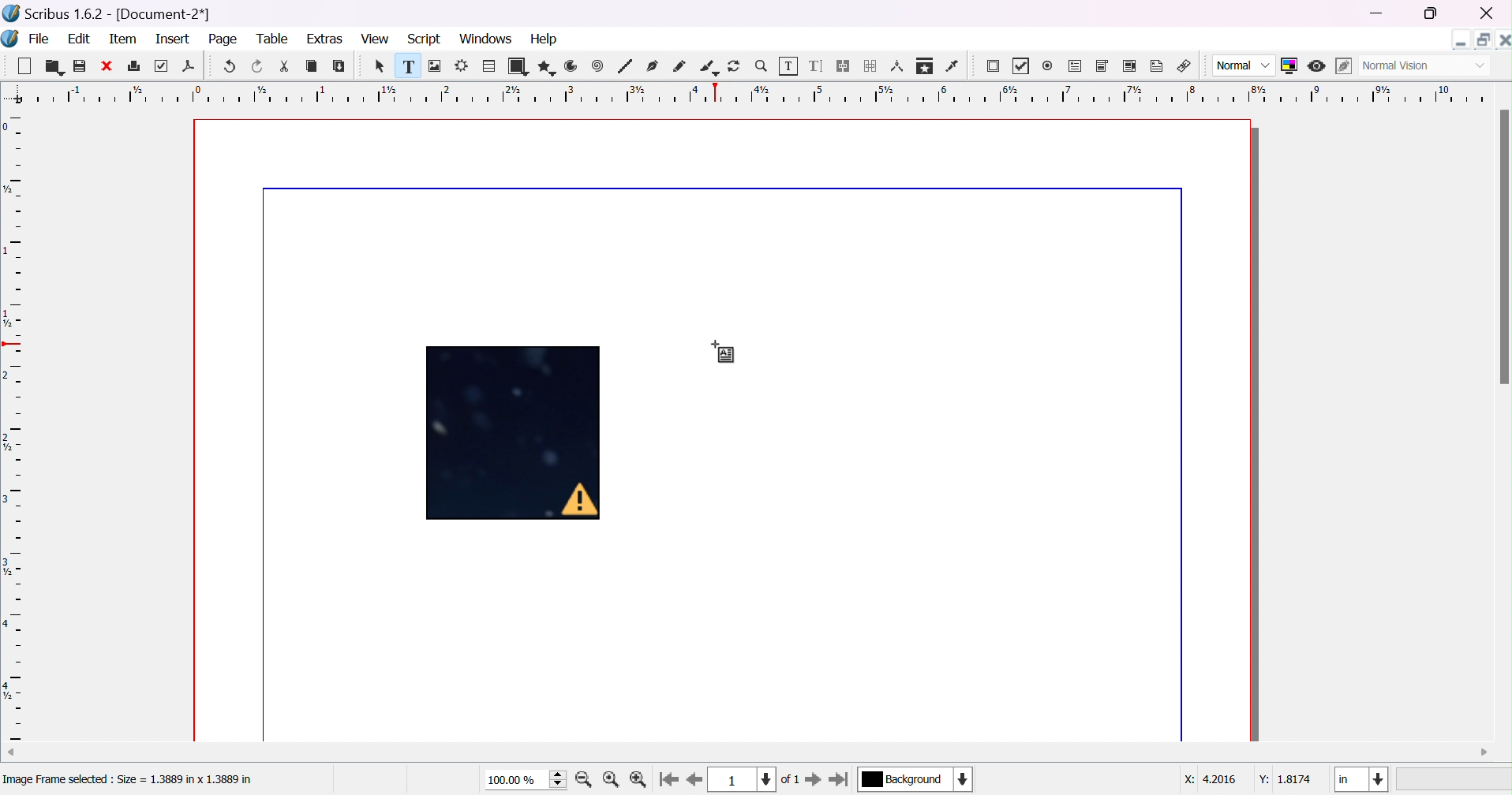 This screenshot has height=795, width=1512. What do you see at coordinates (485, 40) in the screenshot?
I see `windows` at bounding box center [485, 40].